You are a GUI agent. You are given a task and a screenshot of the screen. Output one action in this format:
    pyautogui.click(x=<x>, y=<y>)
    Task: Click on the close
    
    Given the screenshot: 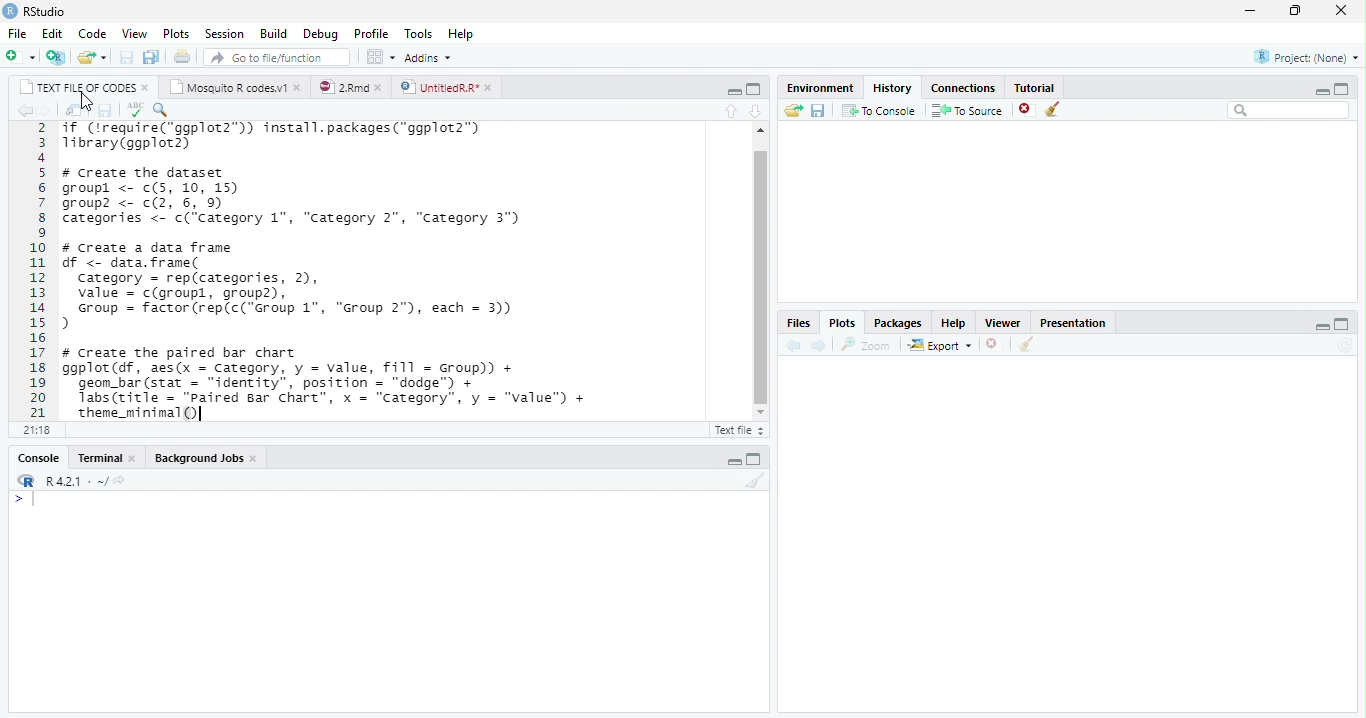 What is the action you would take?
    pyautogui.click(x=380, y=88)
    